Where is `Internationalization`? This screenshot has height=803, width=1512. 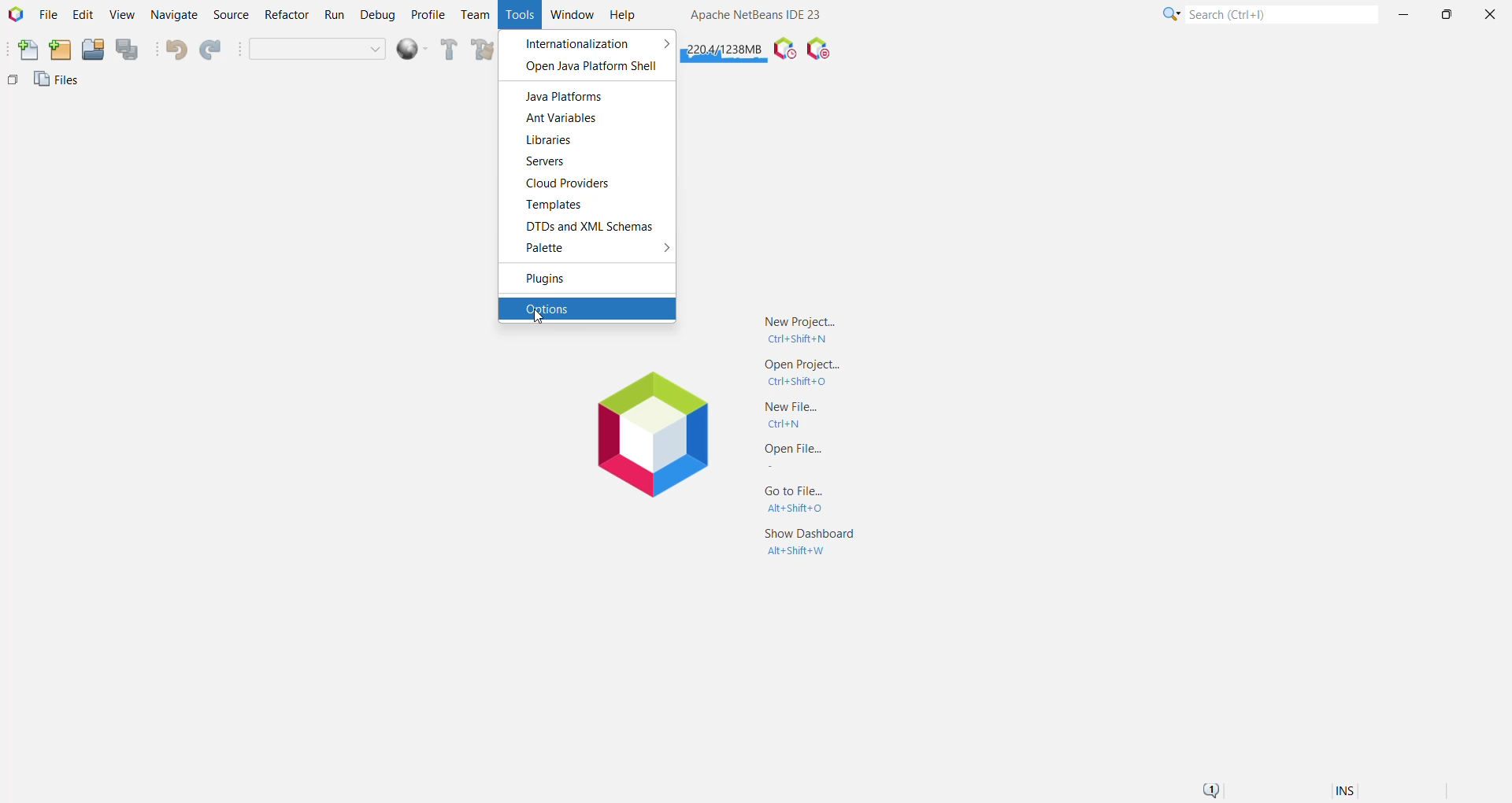 Internationalization is located at coordinates (575, 43).